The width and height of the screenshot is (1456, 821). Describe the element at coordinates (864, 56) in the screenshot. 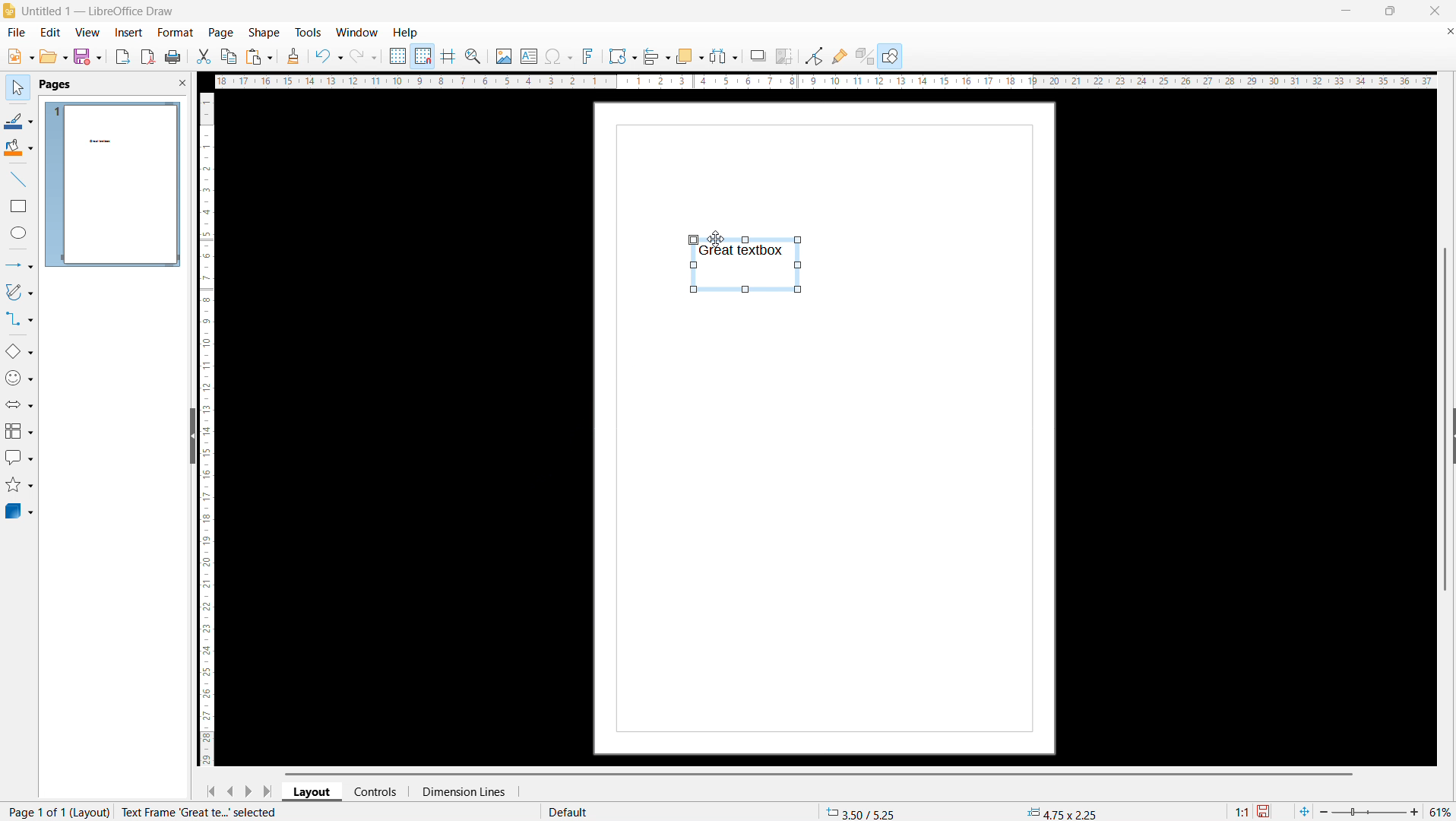

I see `toggle extrusion` at that location.